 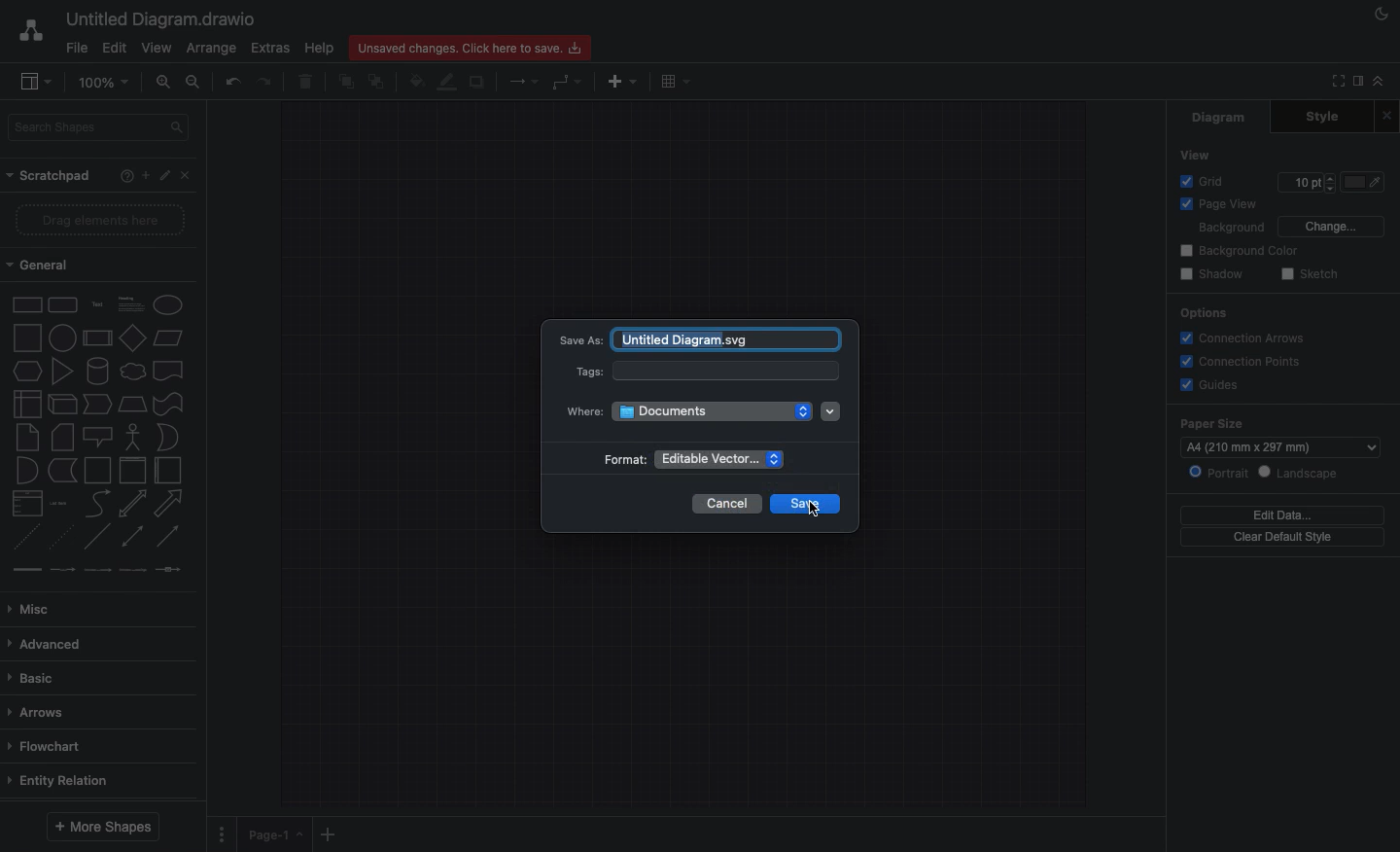 I want to click on Enable vector, so click(x=723, y=459).